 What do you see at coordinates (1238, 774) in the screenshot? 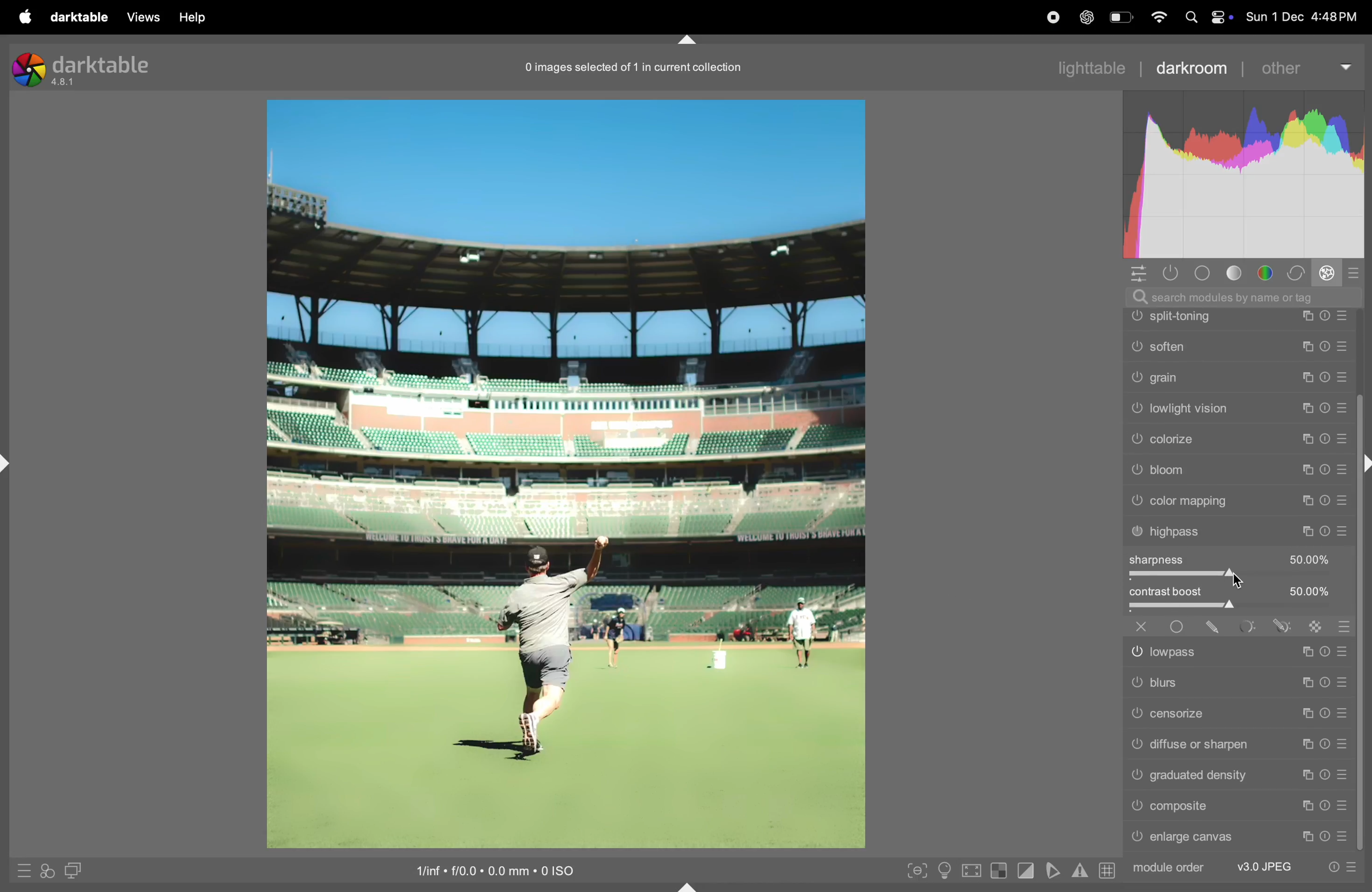
I see `gratitude density` at bounding box center [1238, 774].